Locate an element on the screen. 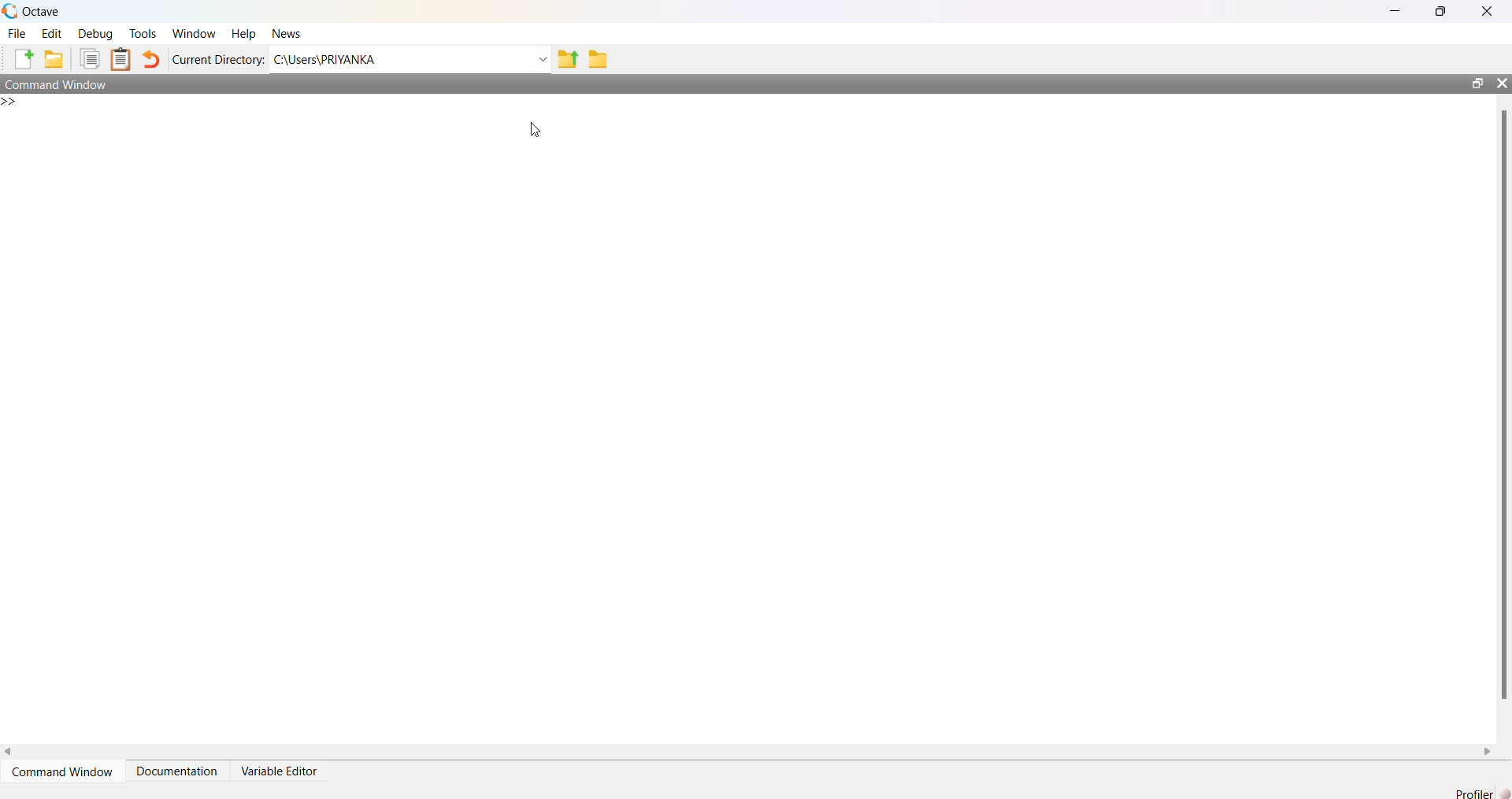  close is located at coordinates (1489, 11).